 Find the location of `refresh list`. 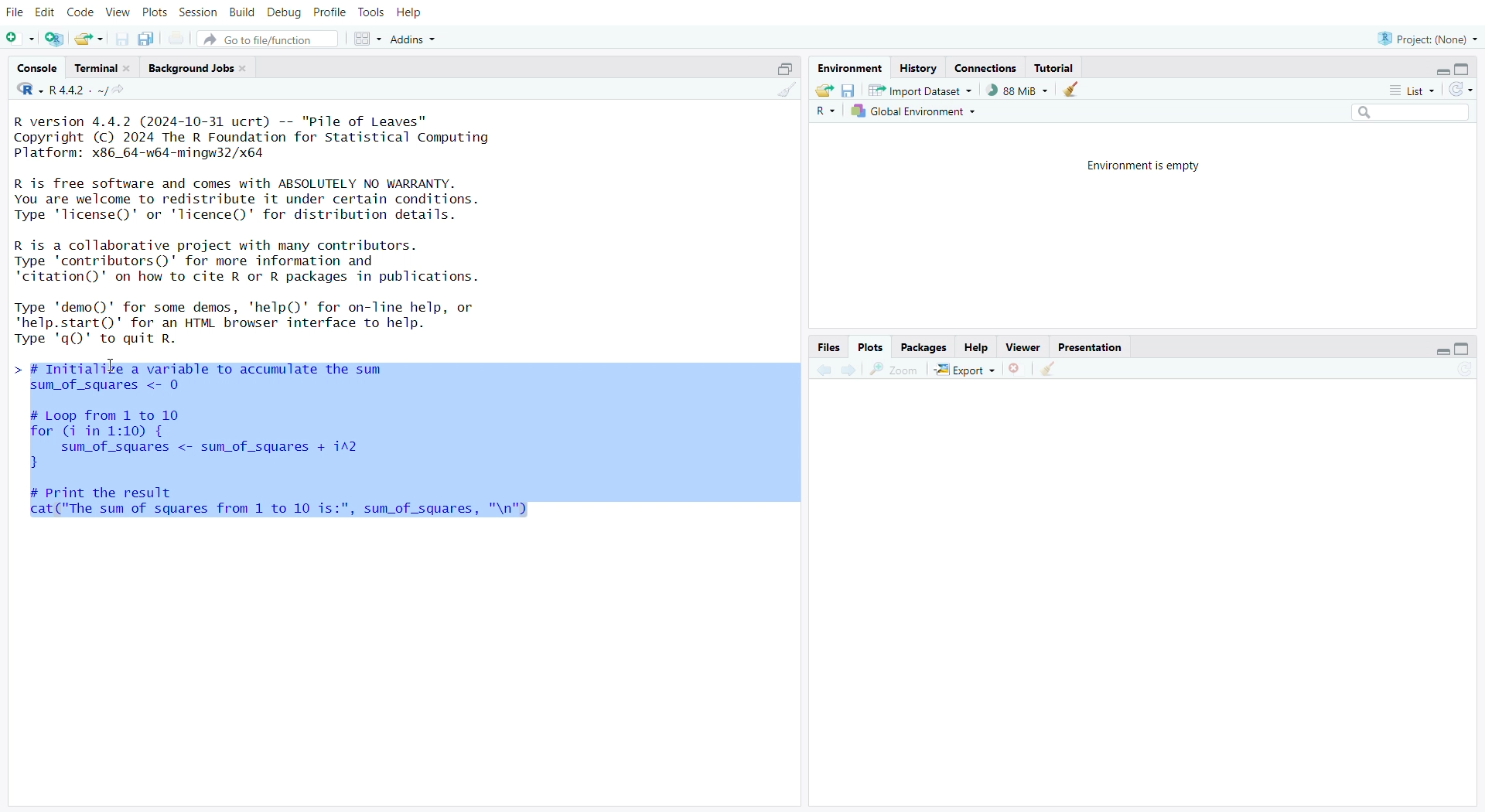

refresh list is located at coordinates (1460, 88).